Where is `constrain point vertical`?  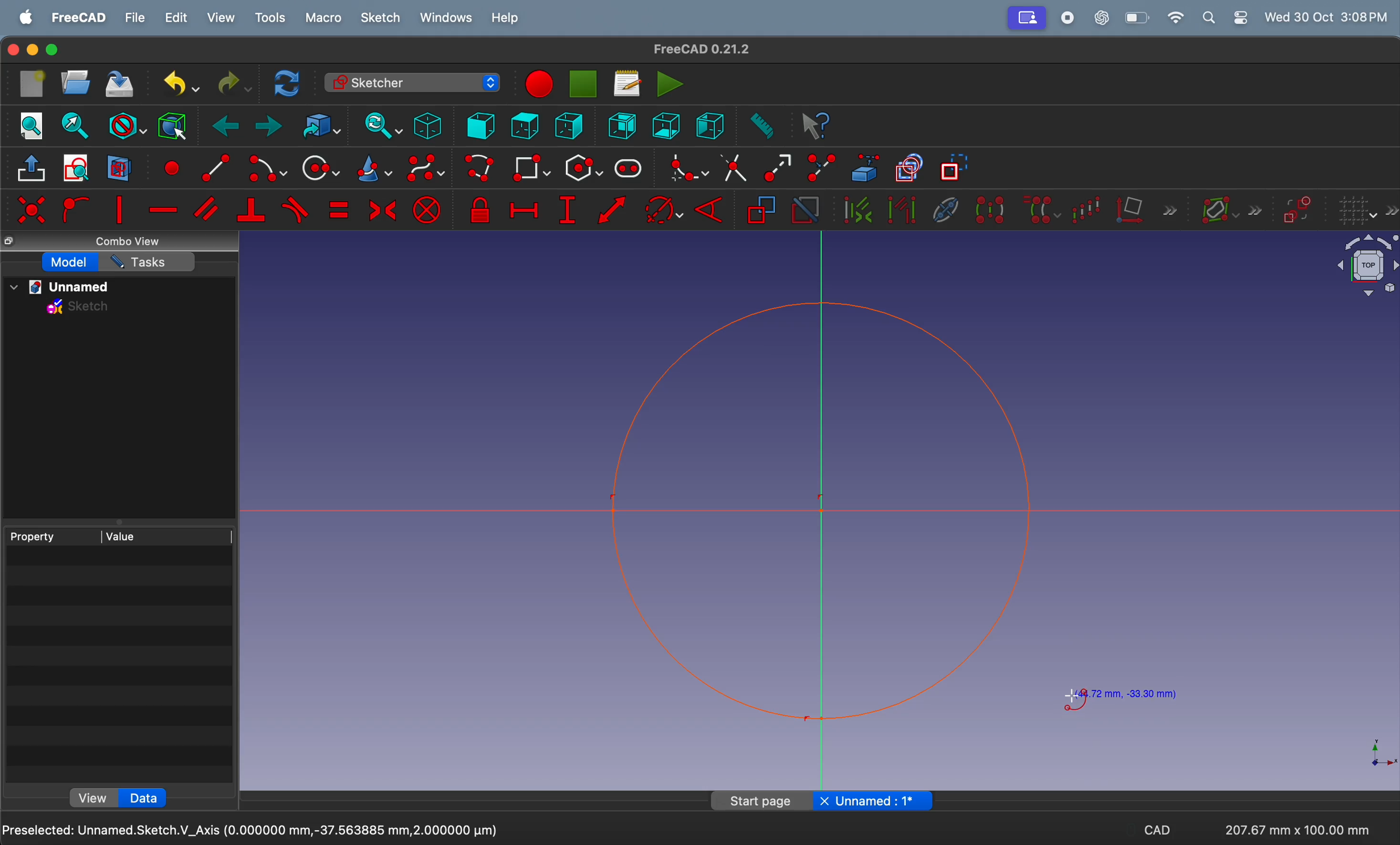
constrain point vertical is located at coordinates (119, 210).